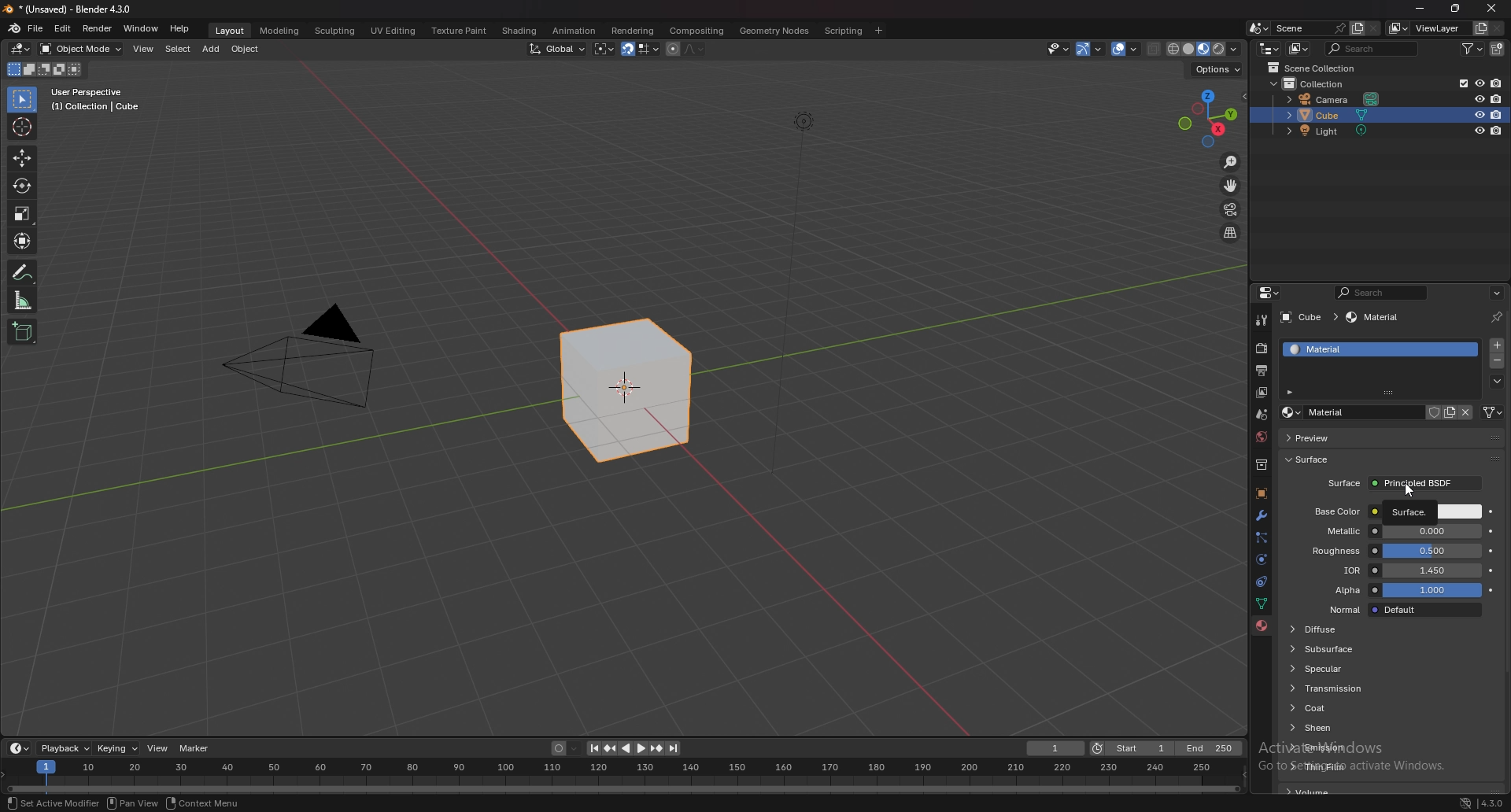 The width and height of the screenshot is (1511, 812). Describe the element at coordinates (1496, 317) in the screenshot. I see `toggle pin id` at that location.